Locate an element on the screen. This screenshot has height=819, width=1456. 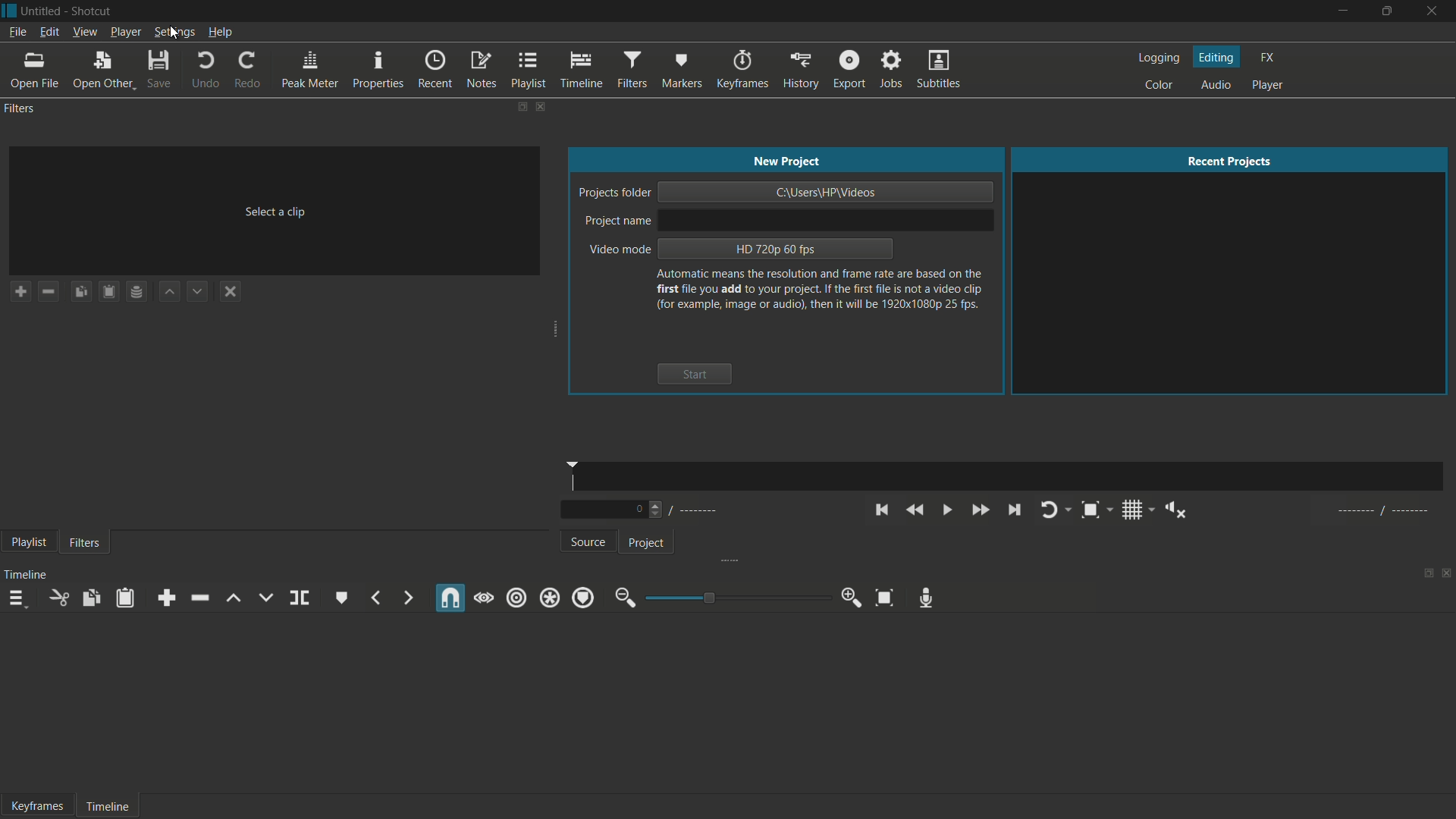
record audio is located at coordinates (926, 596).